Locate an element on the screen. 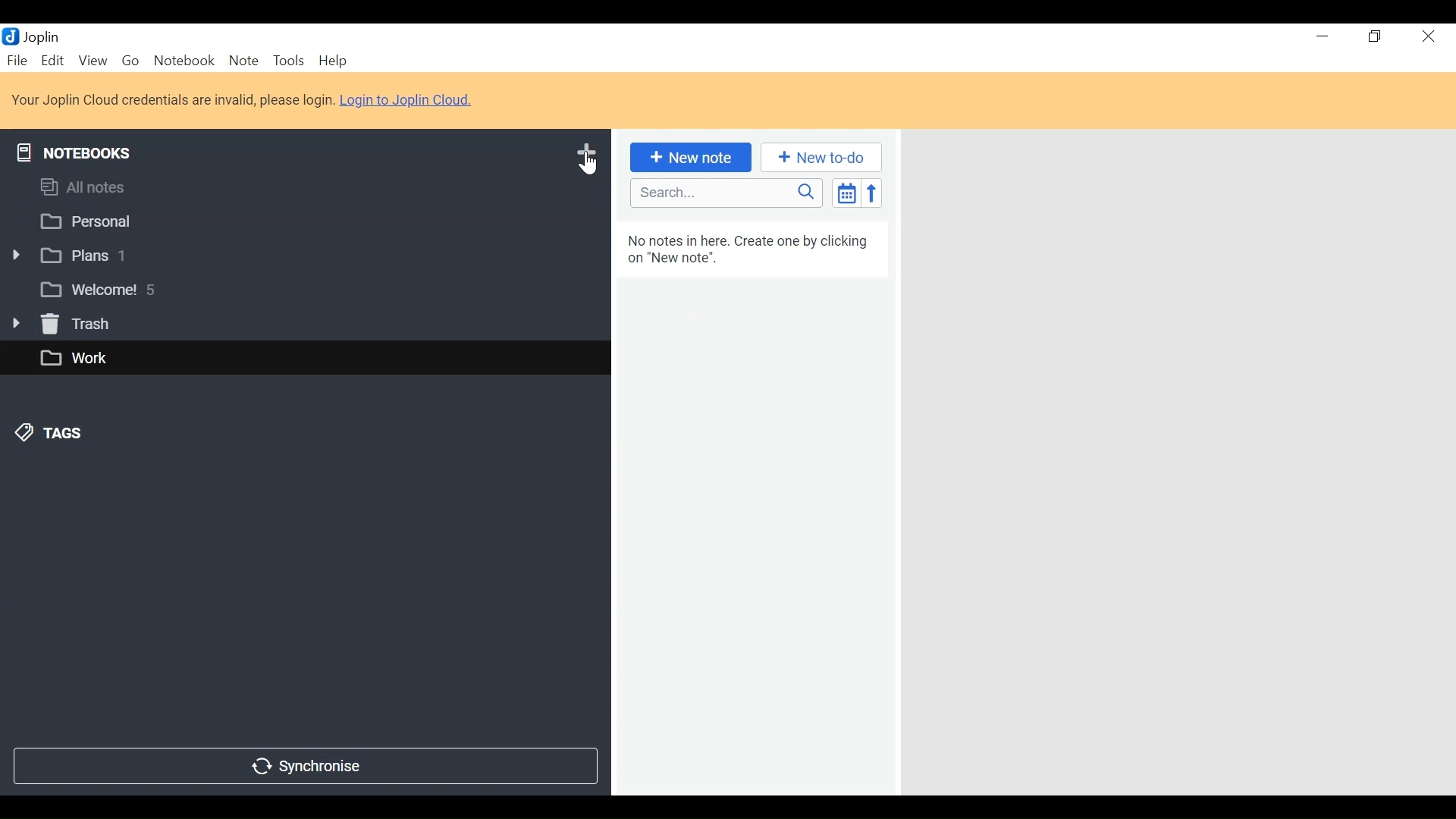 Image resolution: width=1456 pixels, height=819 pixels. Note is located at coordinates (243, 60).